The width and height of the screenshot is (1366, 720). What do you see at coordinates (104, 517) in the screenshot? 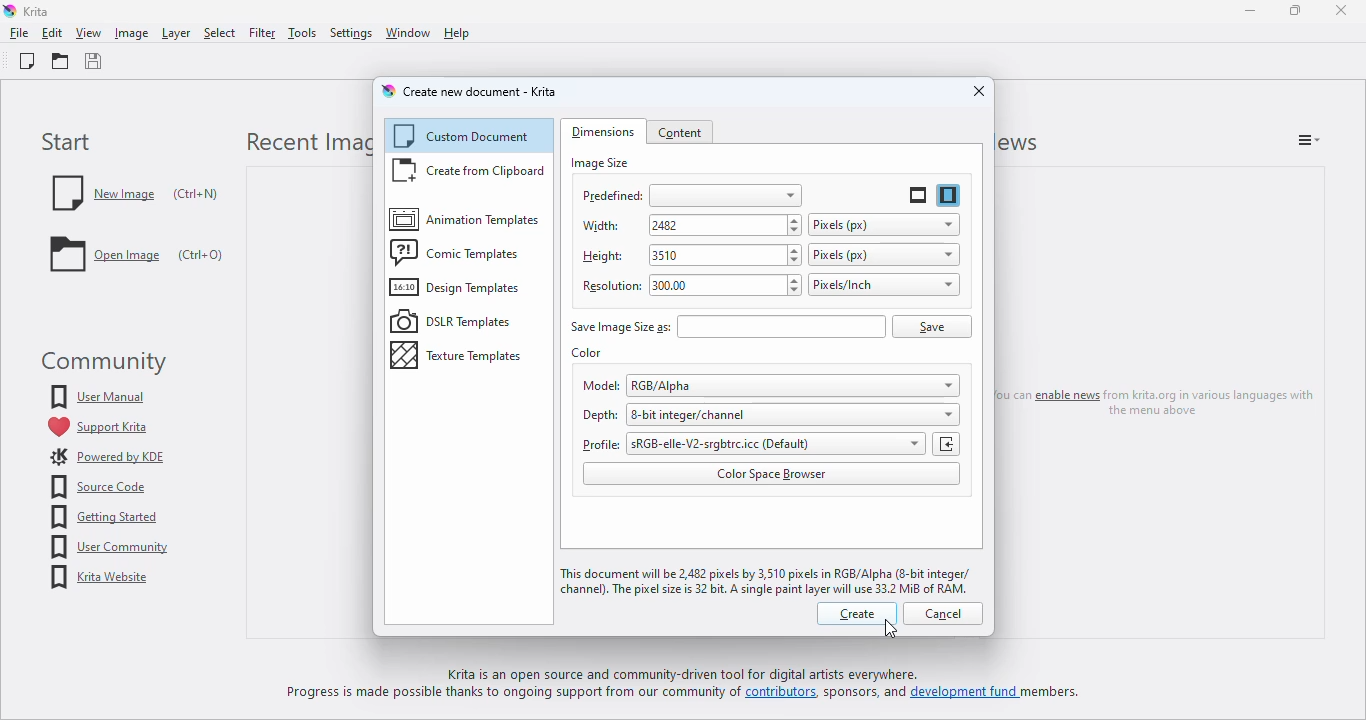
I see `getting started` at bounding box center [104, 517].